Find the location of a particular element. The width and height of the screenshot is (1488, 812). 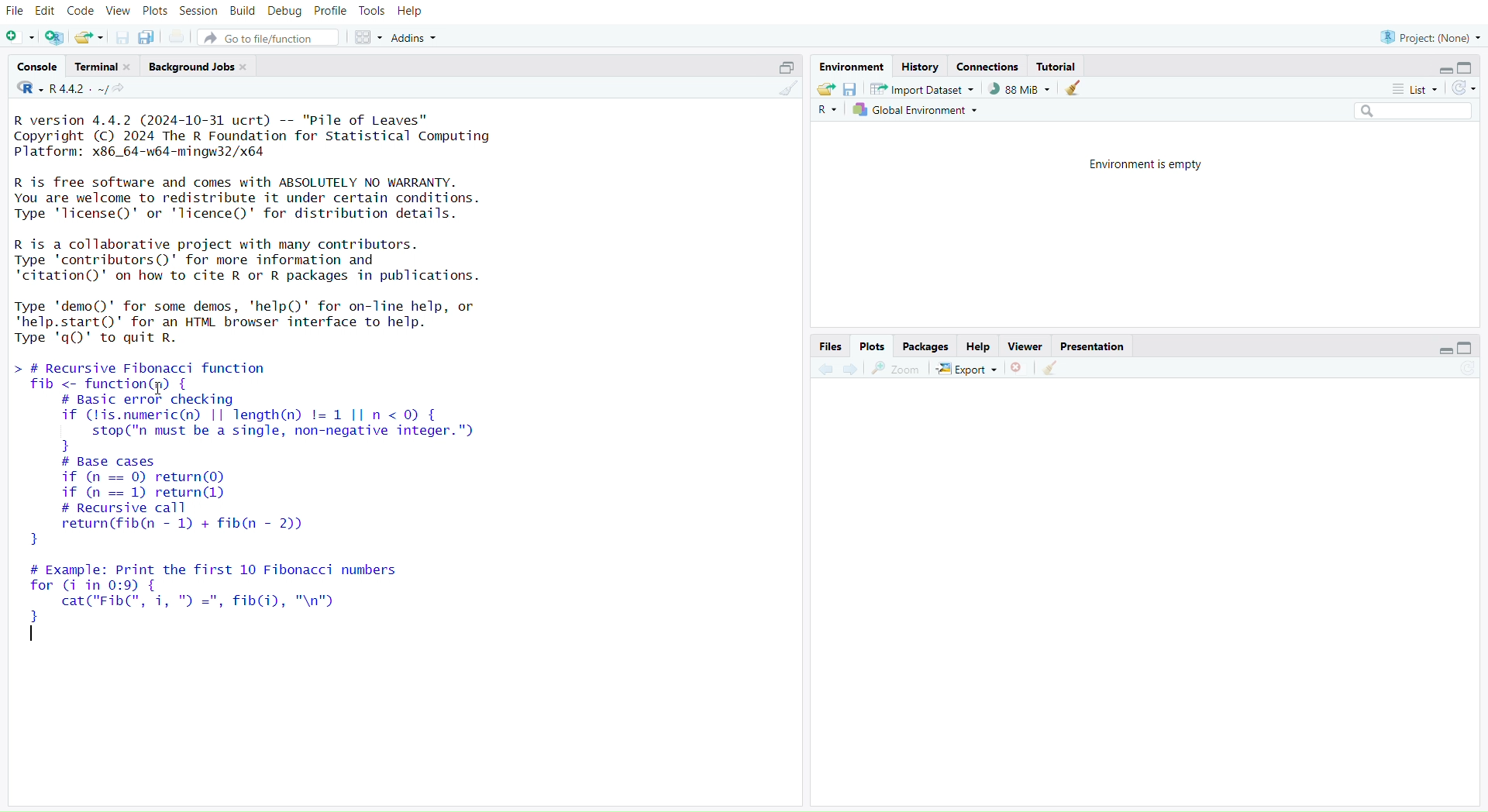

clear console is located at coordinates (787, 89).